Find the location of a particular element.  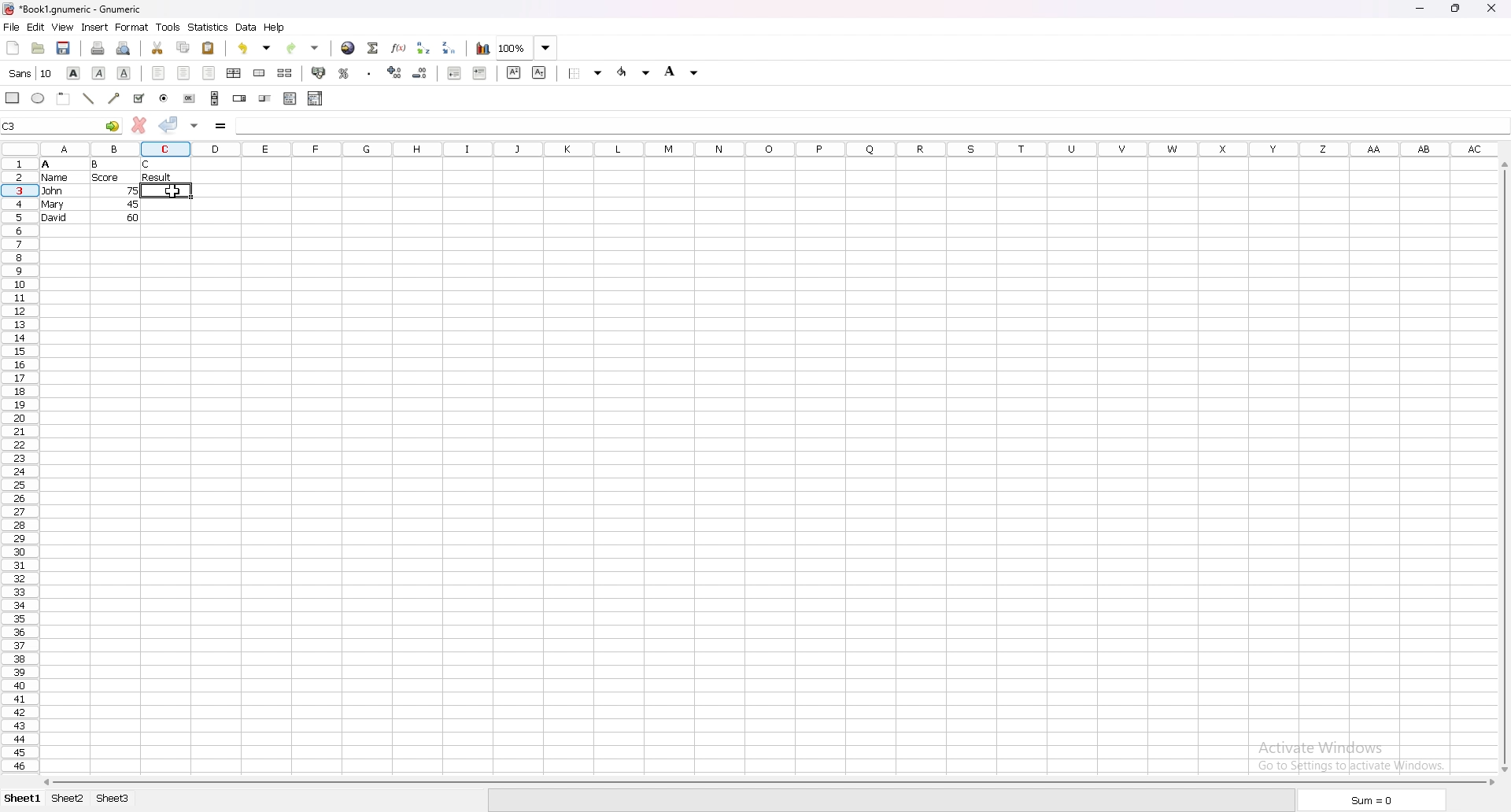

row is located at coordinates (20, 463).